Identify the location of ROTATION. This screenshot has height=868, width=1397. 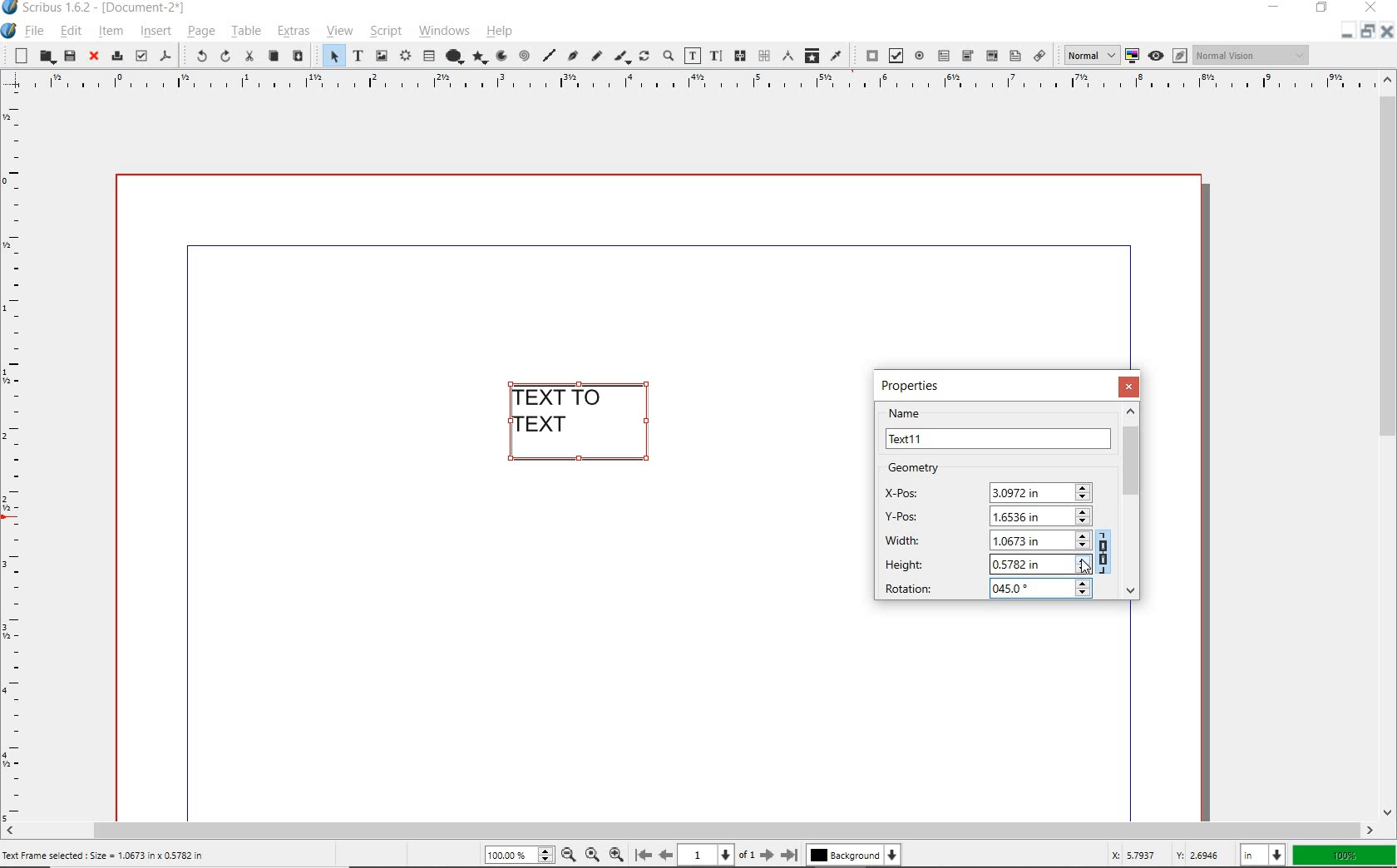
(985, 589).